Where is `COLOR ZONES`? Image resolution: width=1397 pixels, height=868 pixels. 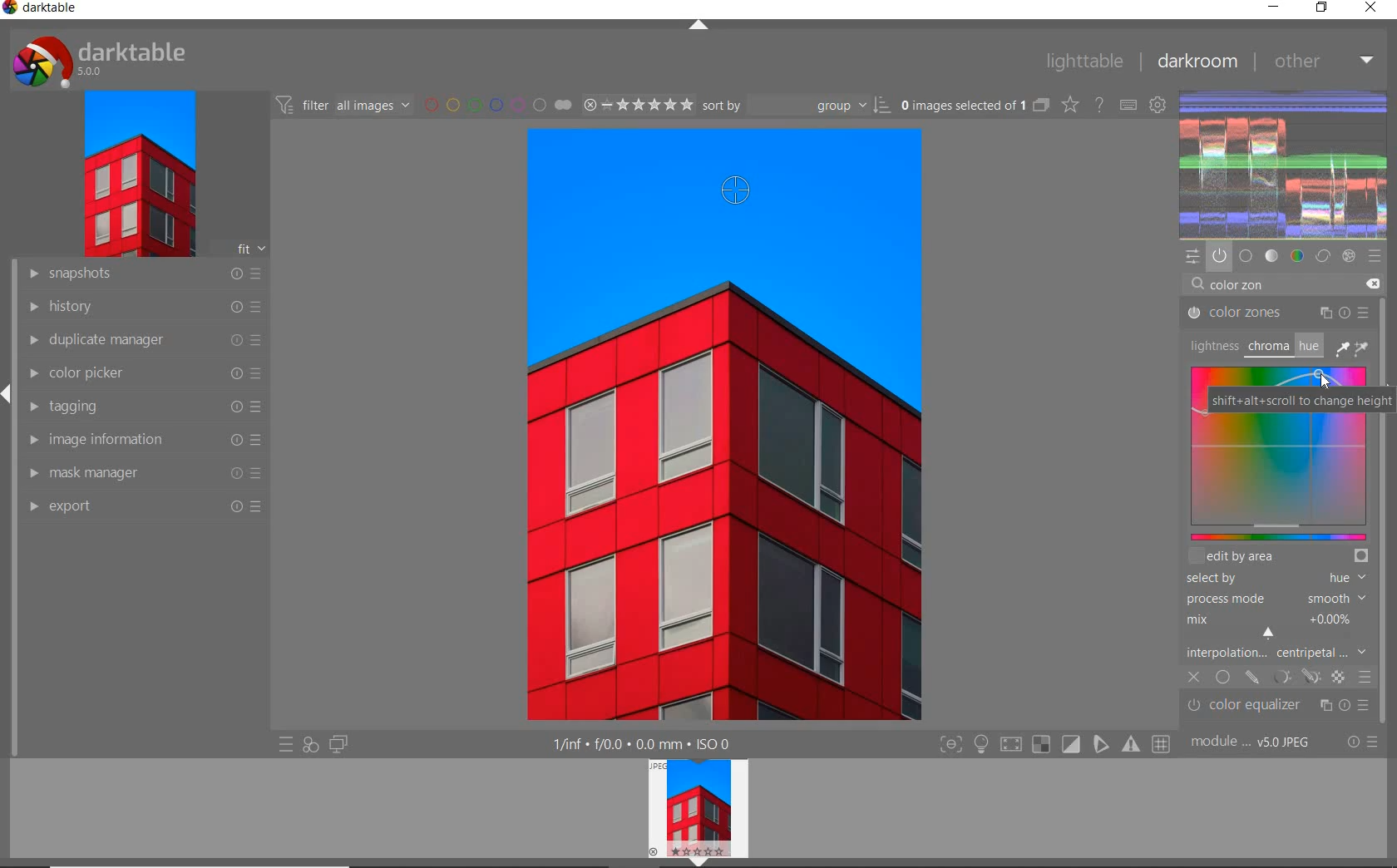 COLOR ZONES is located at coordinates (1278, 313).